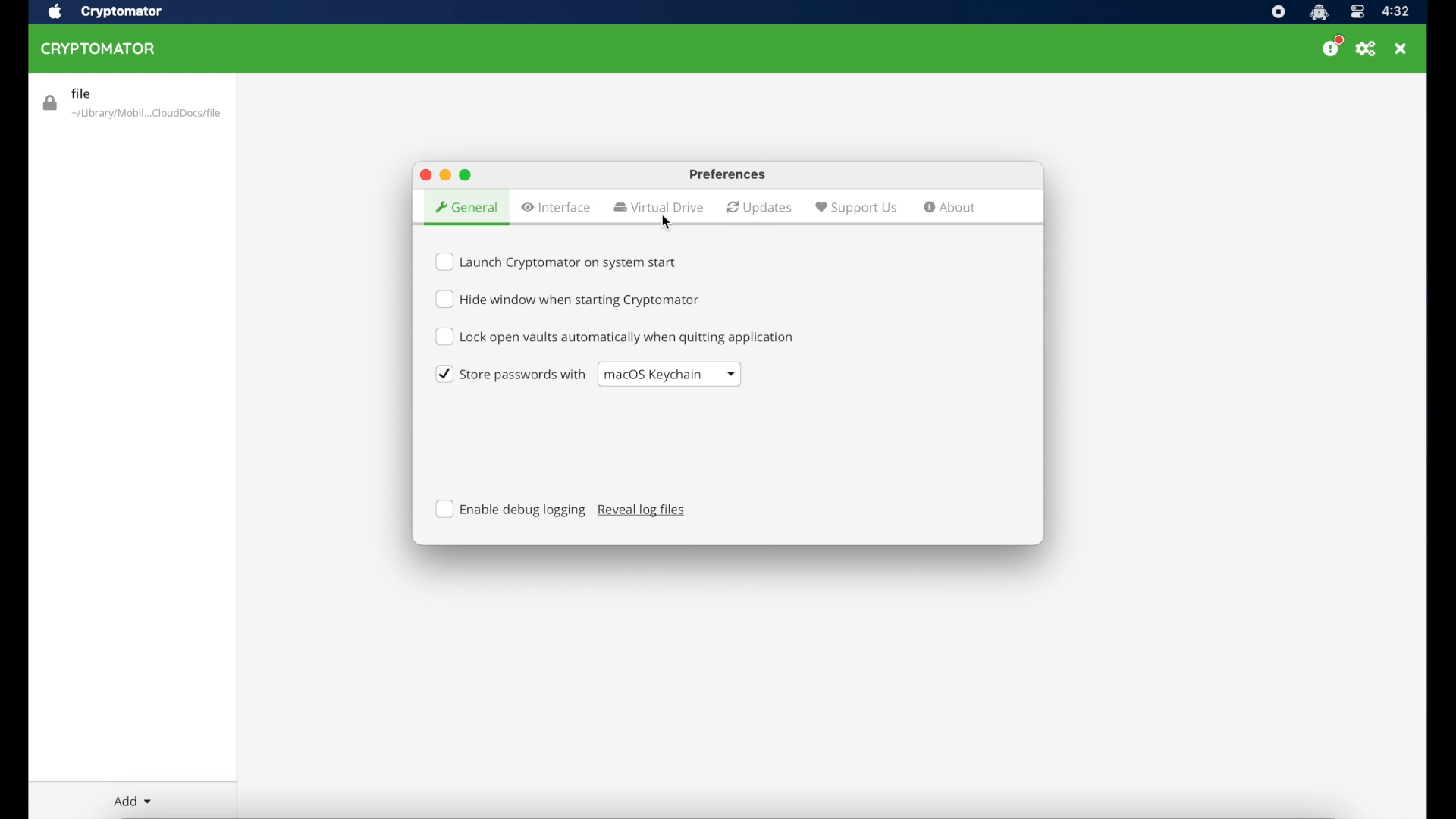 This screenshot has width=1456, height=819. What do you see at coordinates (728, 175) in the screenshot?
I see `preferences` at bounding box center [728, 175].